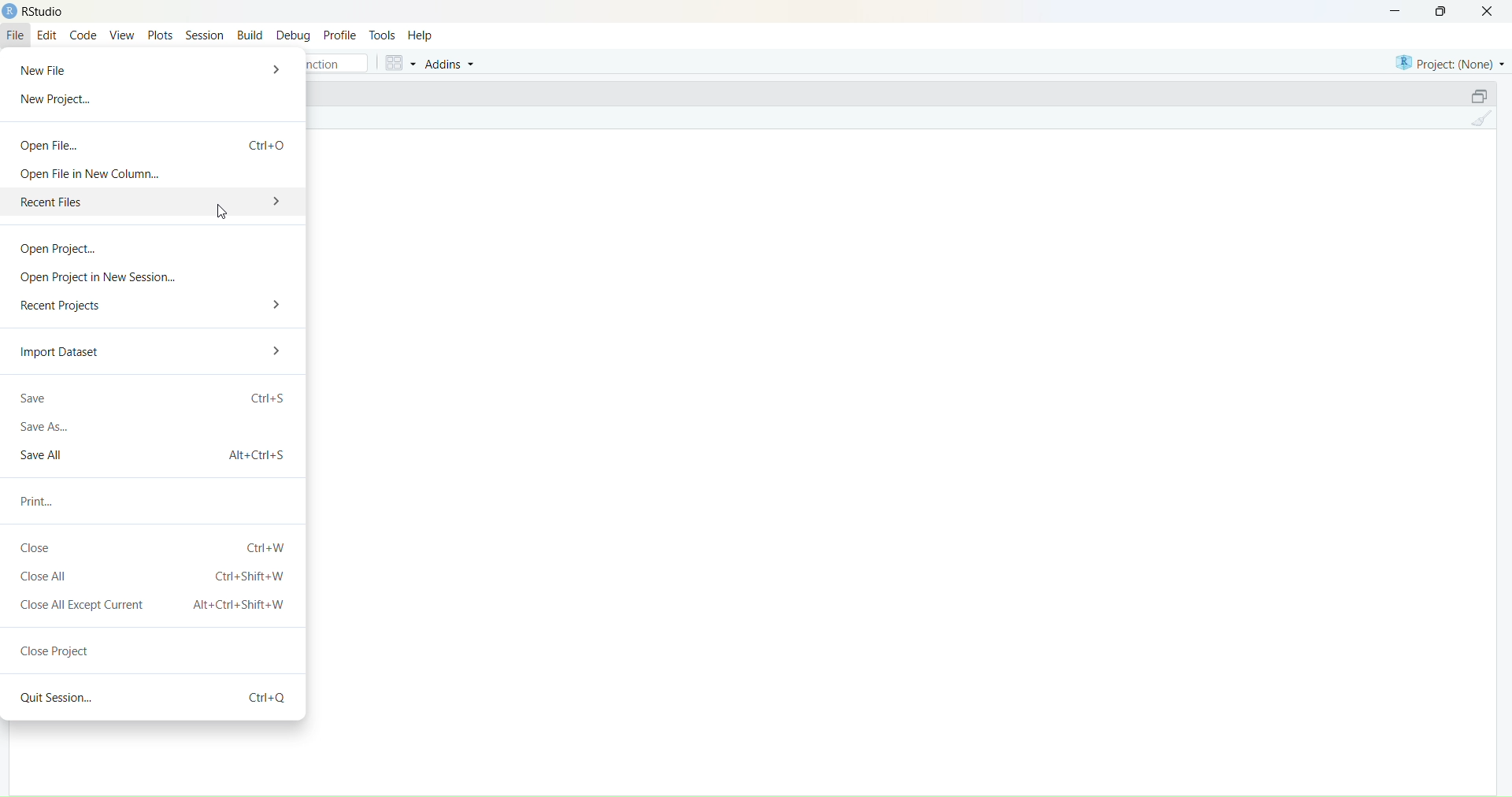 The image size is (1512, 797). Describe the element at coordinates (451, 64) in the screenshot. I see `Addins` at that location.